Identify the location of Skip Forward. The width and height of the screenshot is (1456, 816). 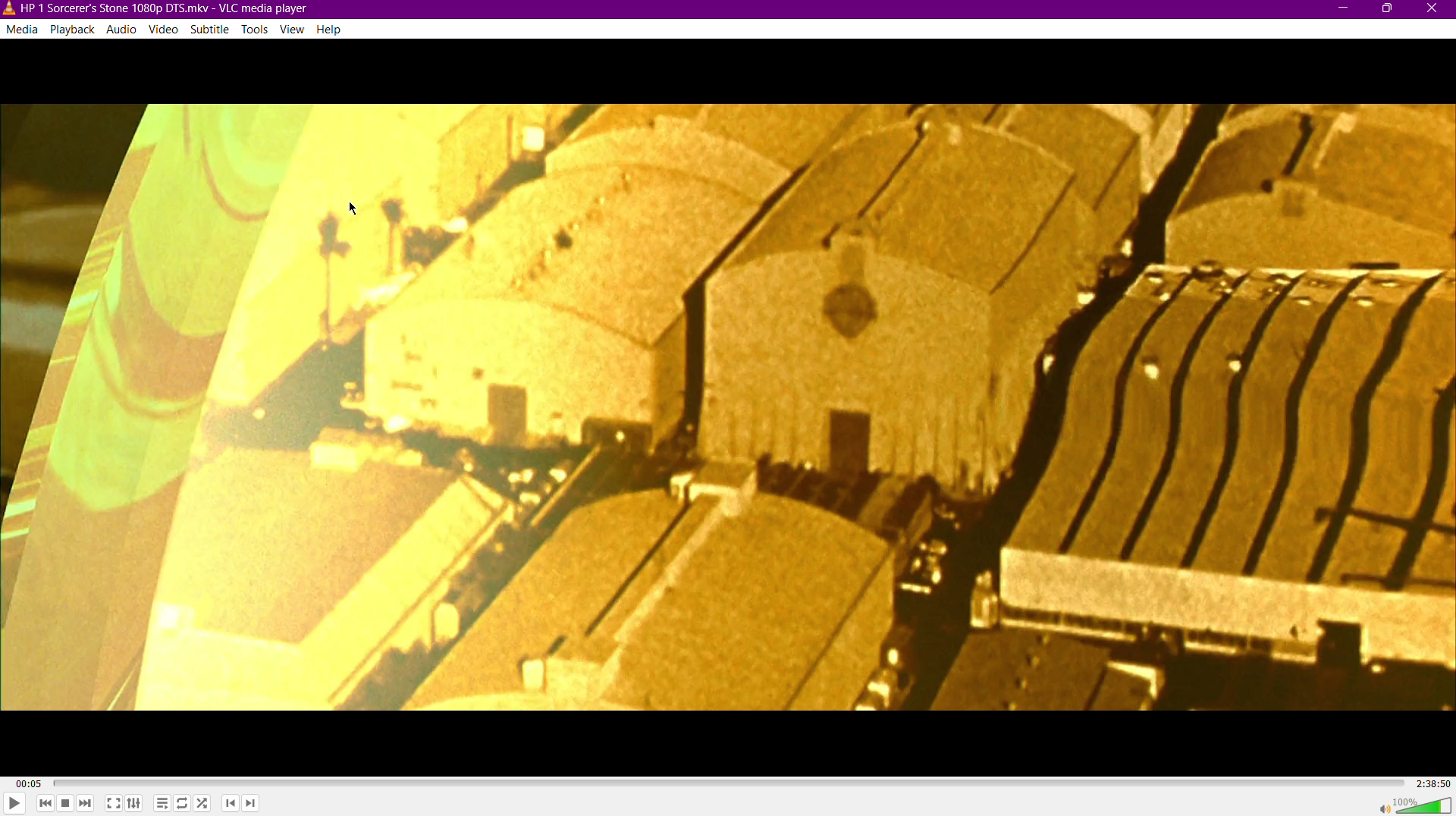
(87, 802).